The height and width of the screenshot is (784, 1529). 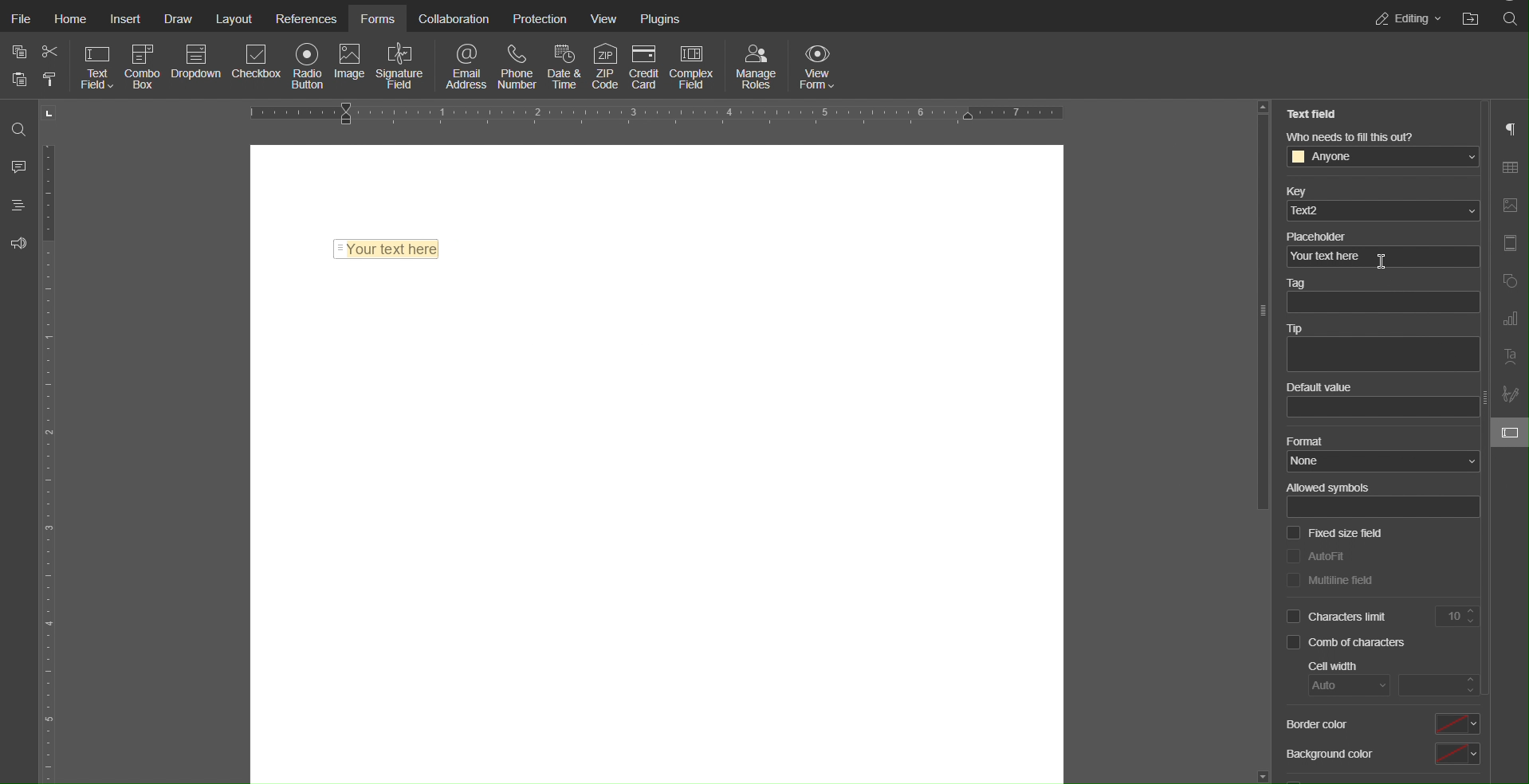 What do you see at coordinates (820, 66) in the screenshot?
I see `View Form` at bounding box center [820, 66].